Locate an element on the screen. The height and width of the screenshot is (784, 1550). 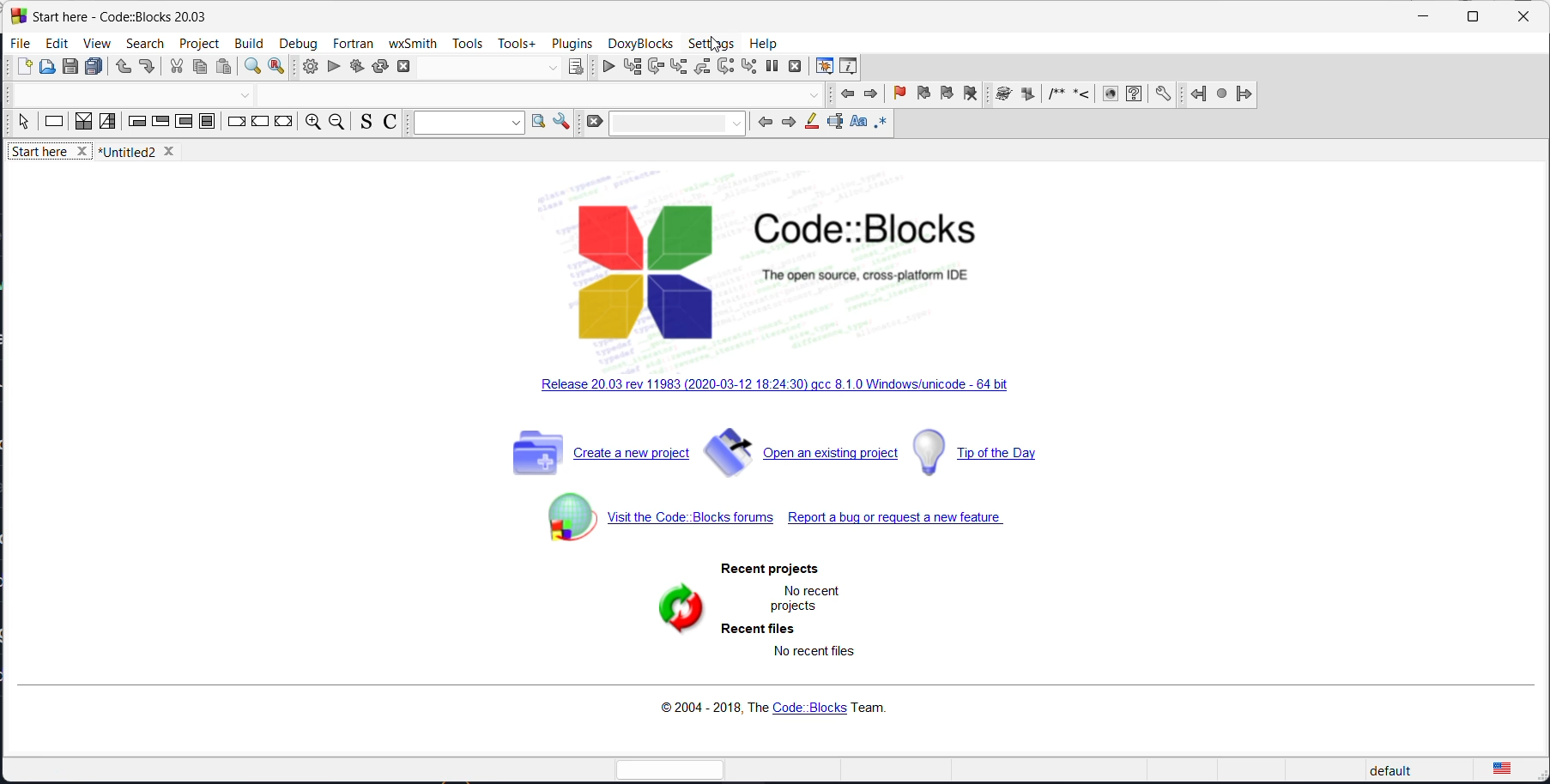
plugins is located at coordinates (572, 43).